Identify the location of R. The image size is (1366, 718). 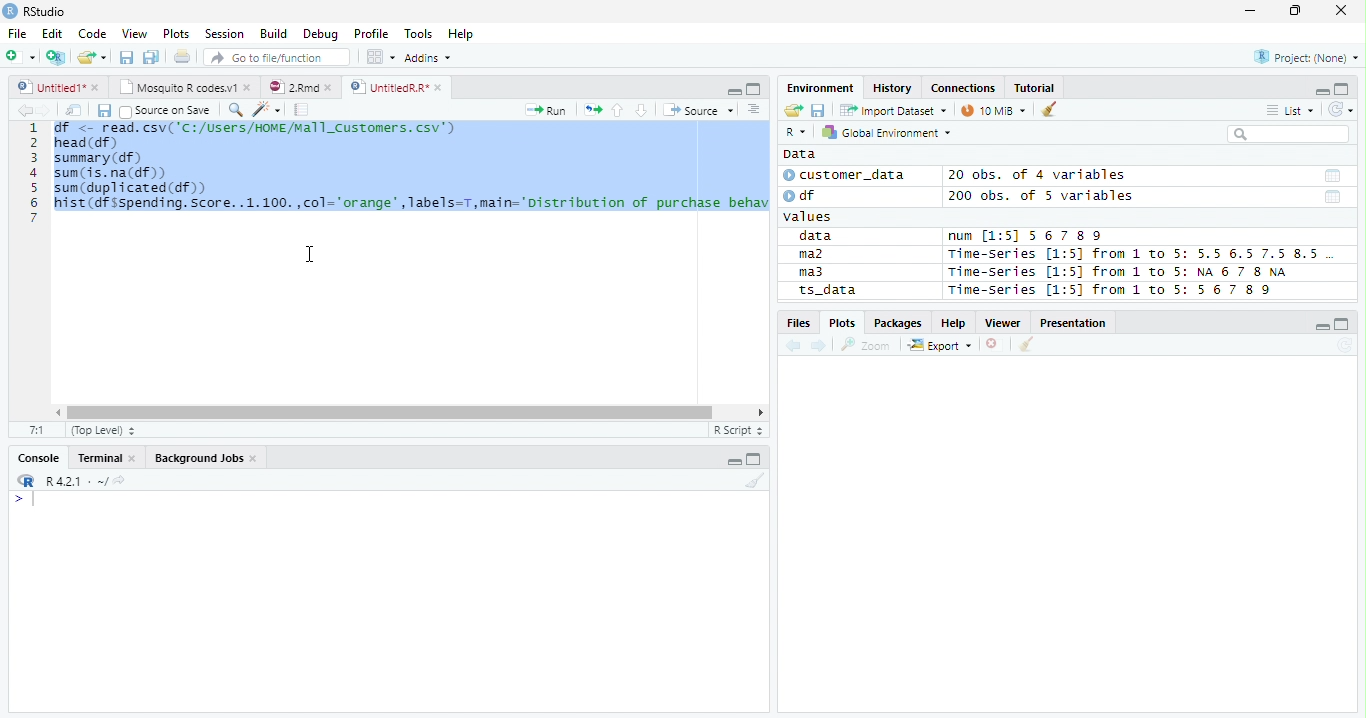
(795, 133).